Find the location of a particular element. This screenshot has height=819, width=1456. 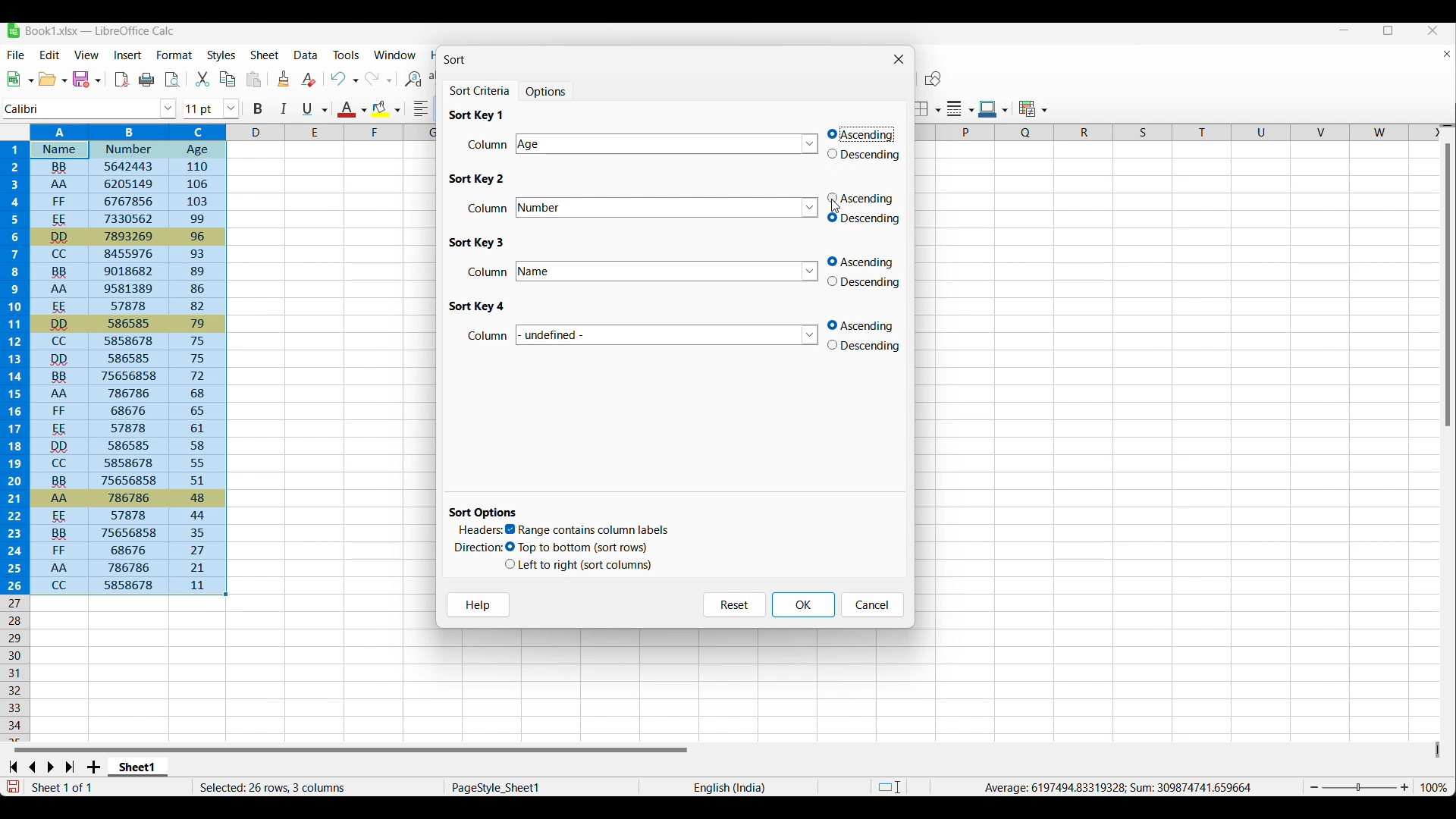

New document options is located at coordinates (20, 79).